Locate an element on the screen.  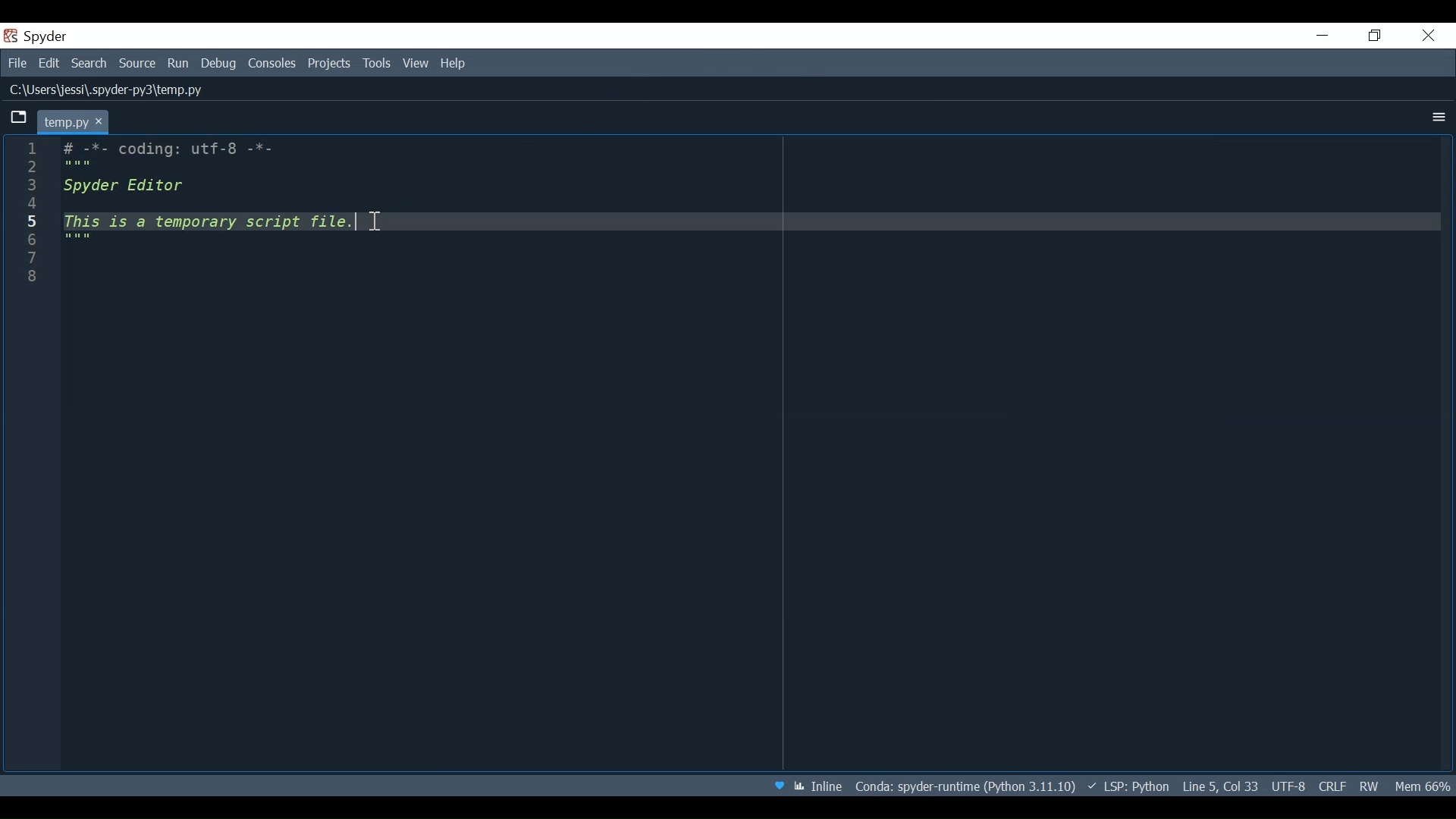
Line column is located at coordinates (30, 455).